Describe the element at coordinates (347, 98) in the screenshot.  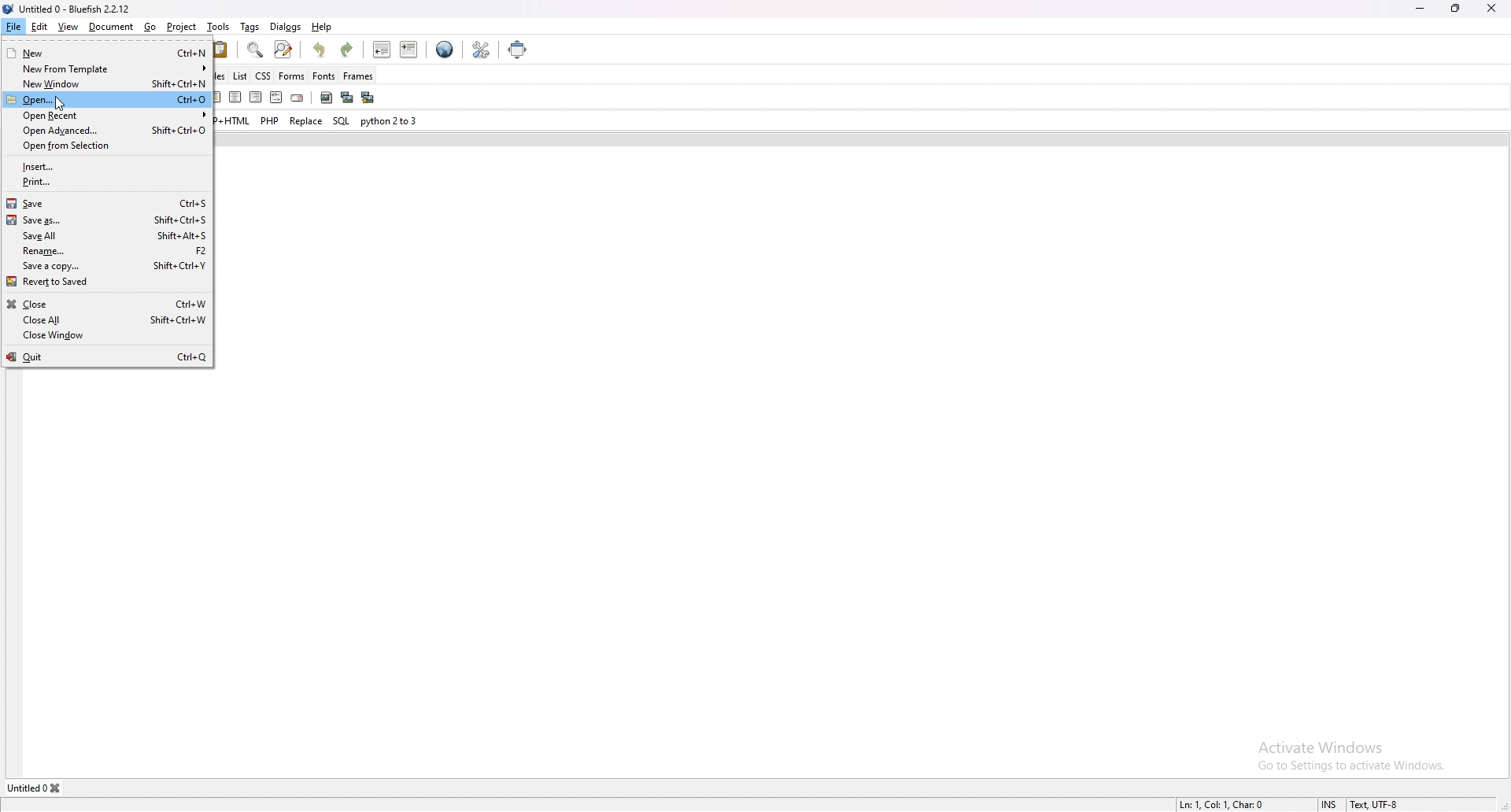
I see `insert thumbnail` at that location.